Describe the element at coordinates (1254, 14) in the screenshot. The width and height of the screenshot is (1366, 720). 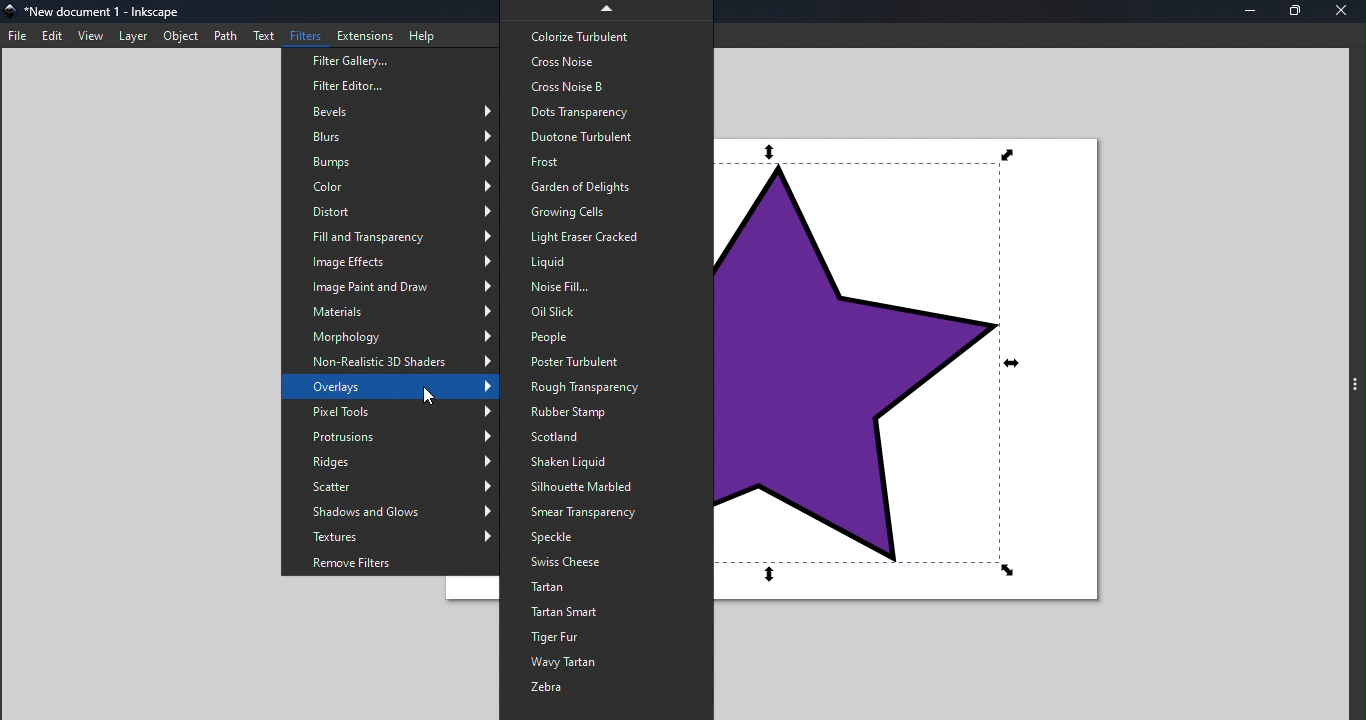
I see `Minimize` at that location.